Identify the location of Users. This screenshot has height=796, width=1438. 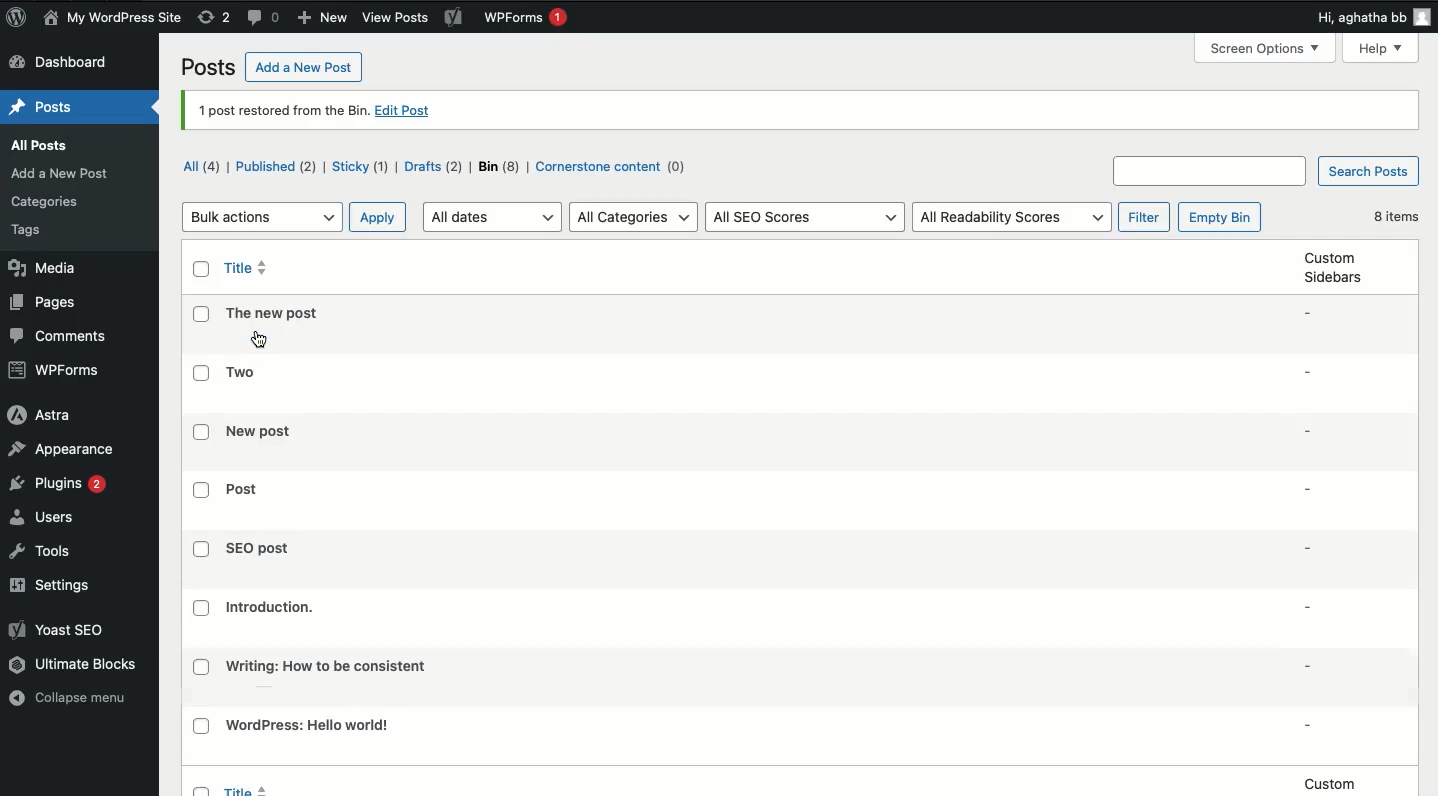
(44, 518).